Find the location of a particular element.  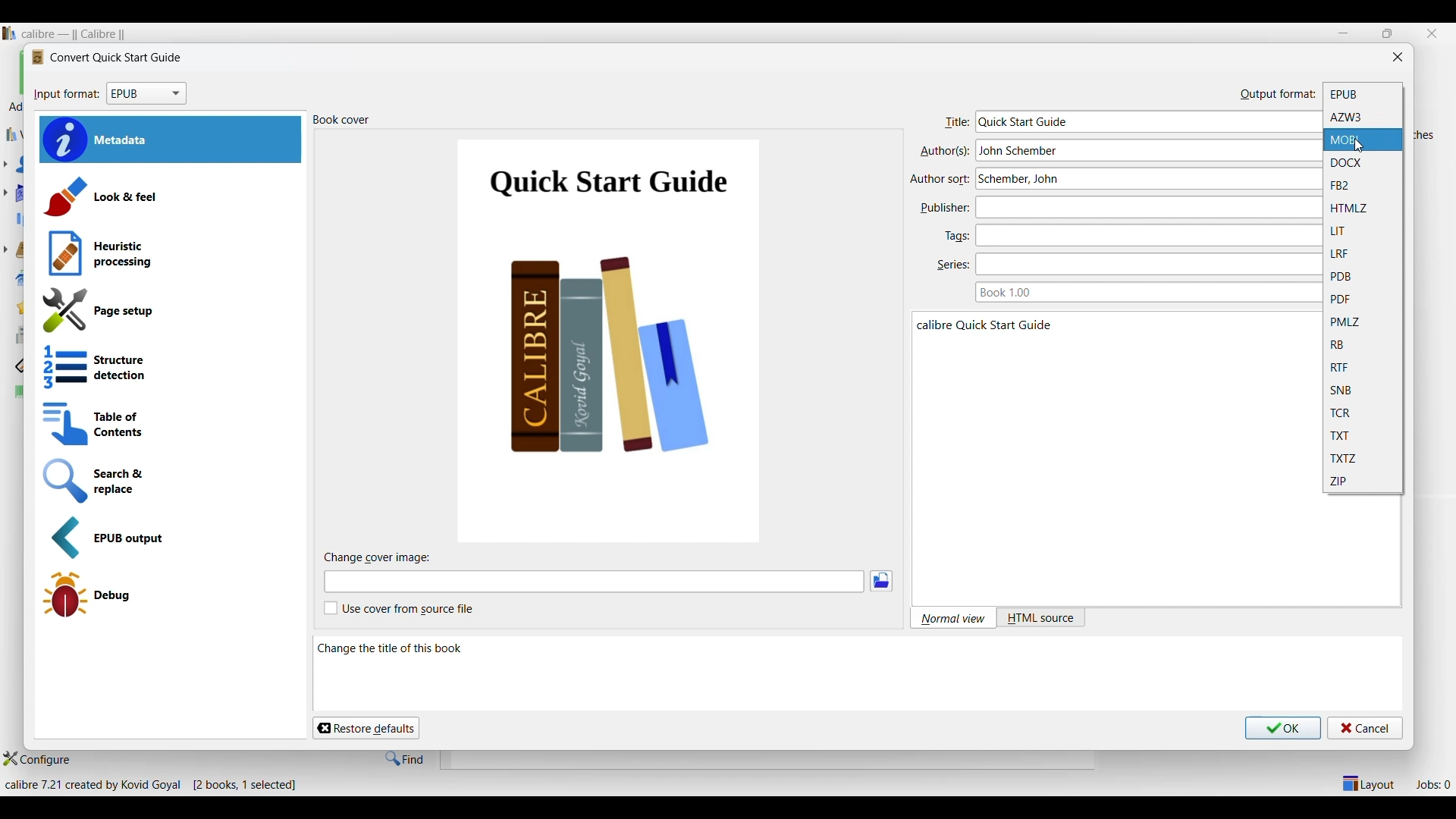

Cancel is located at coordinates (1366, 728).